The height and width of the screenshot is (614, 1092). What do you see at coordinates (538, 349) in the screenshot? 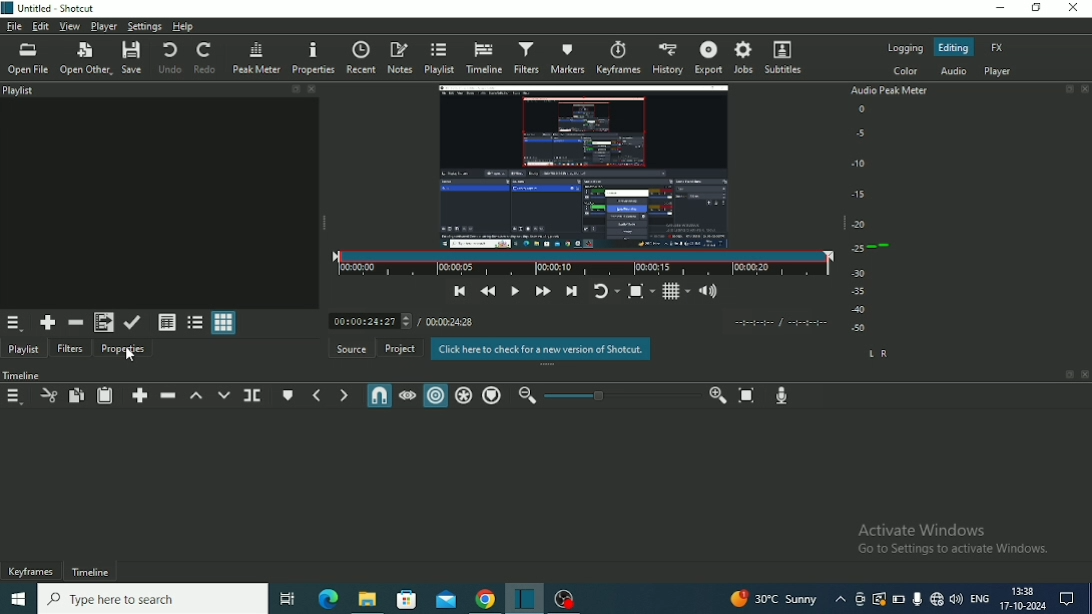
I see `Click here to check for a new version of Shotcut` at bounding box center [538, 349].